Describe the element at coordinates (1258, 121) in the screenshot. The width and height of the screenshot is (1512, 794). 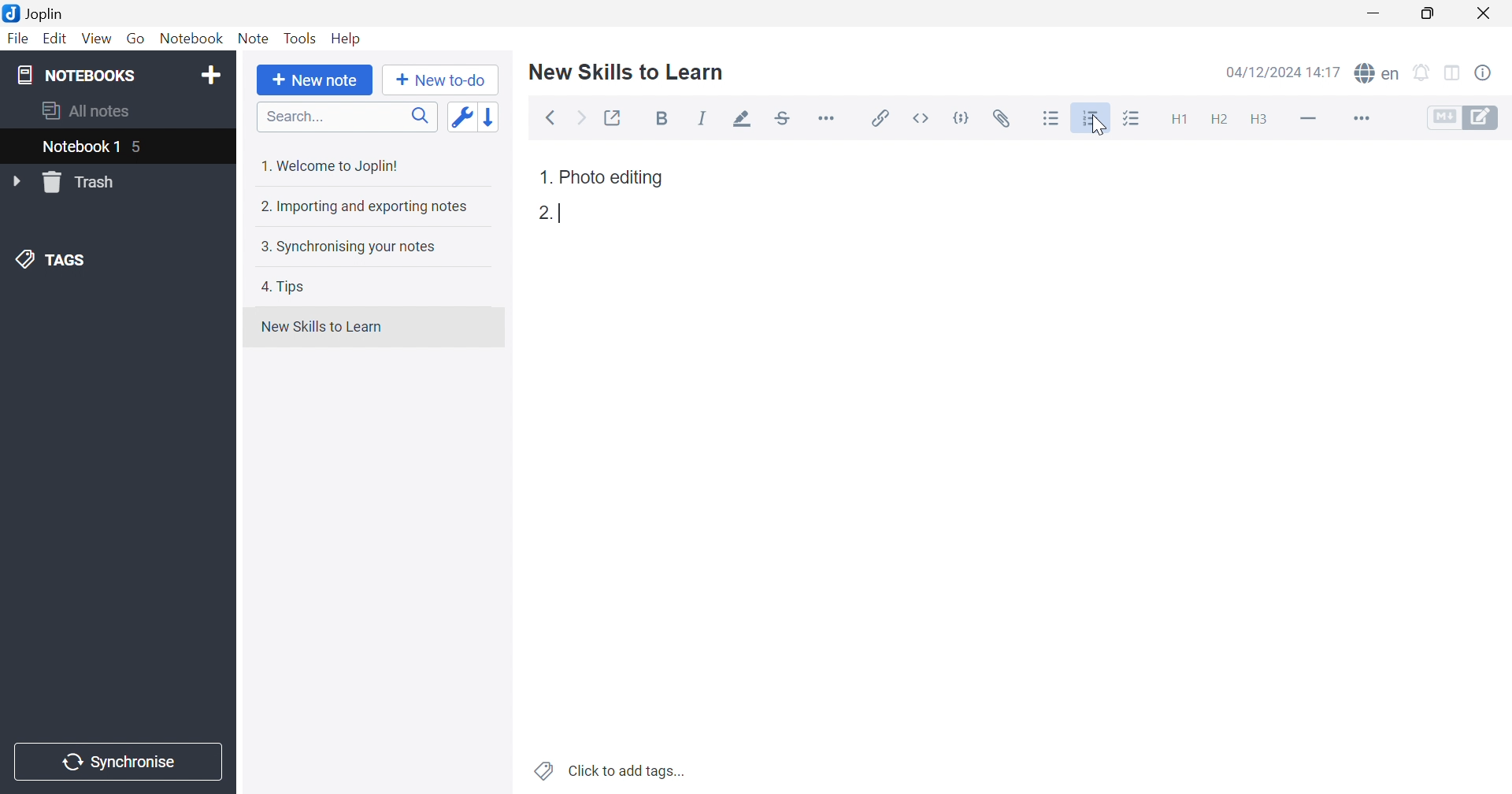
I see `Heading 3` at that location.